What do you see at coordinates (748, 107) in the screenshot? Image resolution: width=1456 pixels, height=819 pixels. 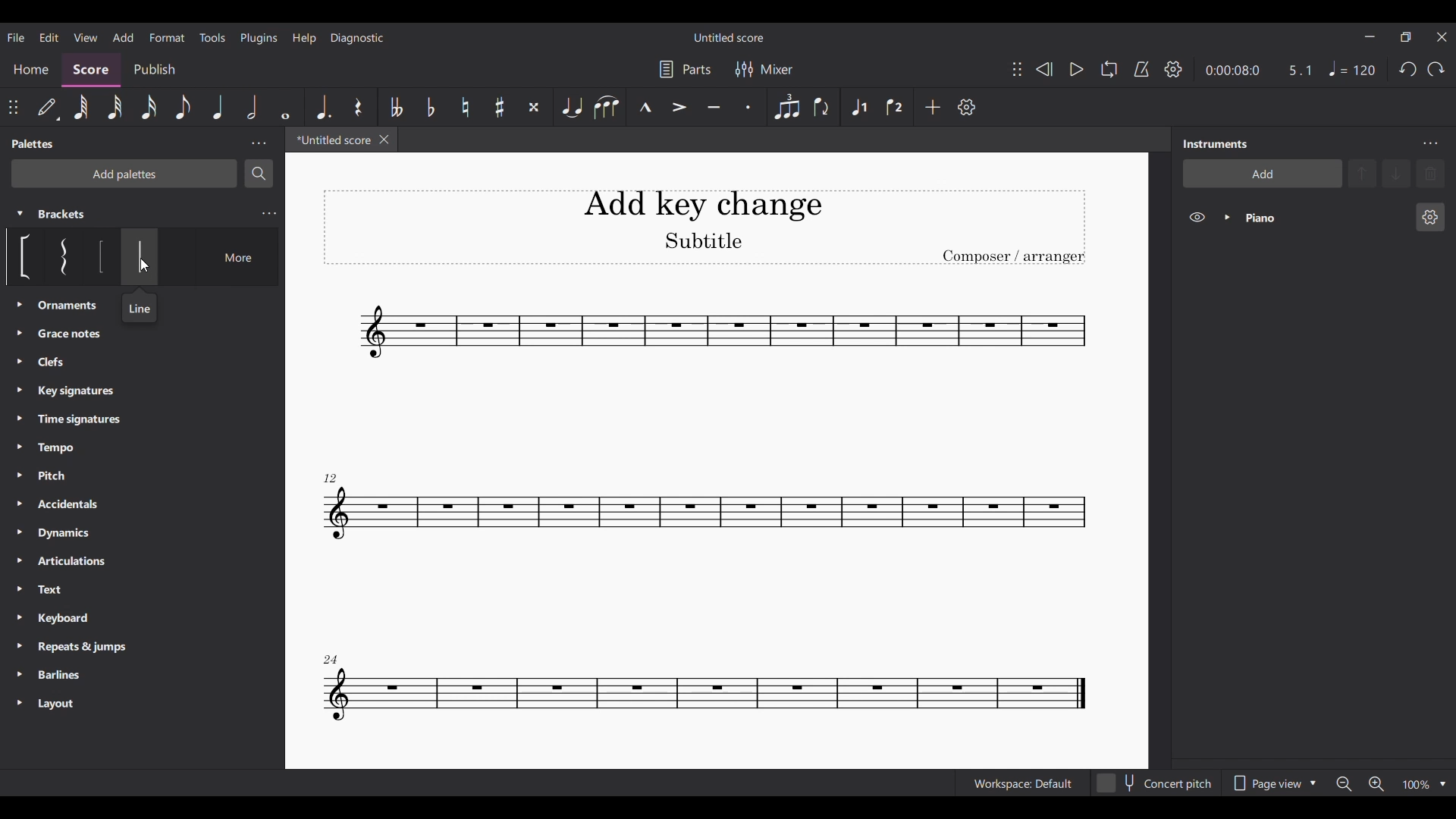 I see `Staccato` at bounding box center [748, 107].